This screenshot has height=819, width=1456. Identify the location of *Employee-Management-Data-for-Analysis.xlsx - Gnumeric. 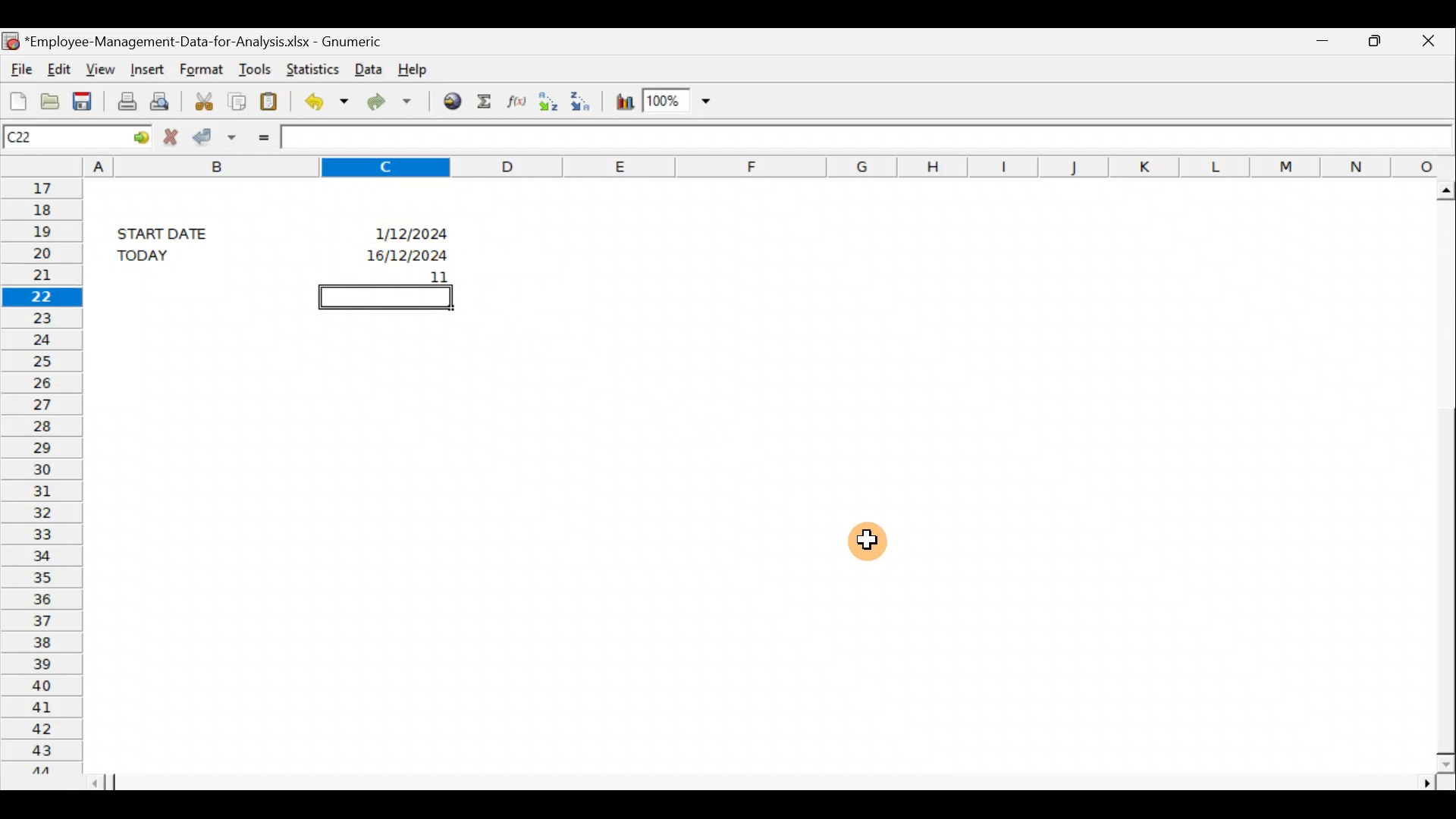
(206, 42).